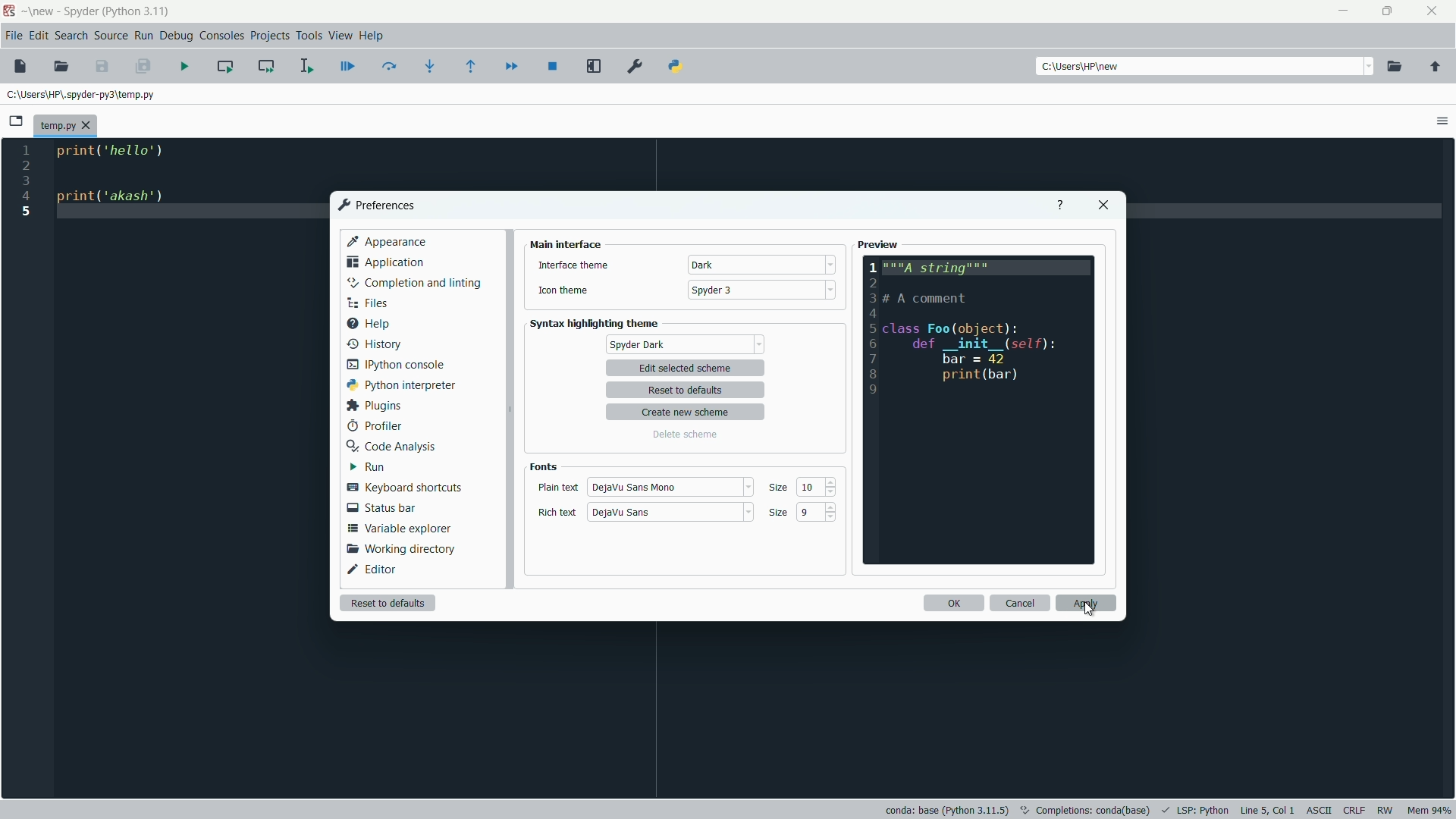 This screenshot has width=1456, height=819. What do you see at coordinates (372, 406) in the screenshot?
I see `plugins` at bounding box center [372, 406].